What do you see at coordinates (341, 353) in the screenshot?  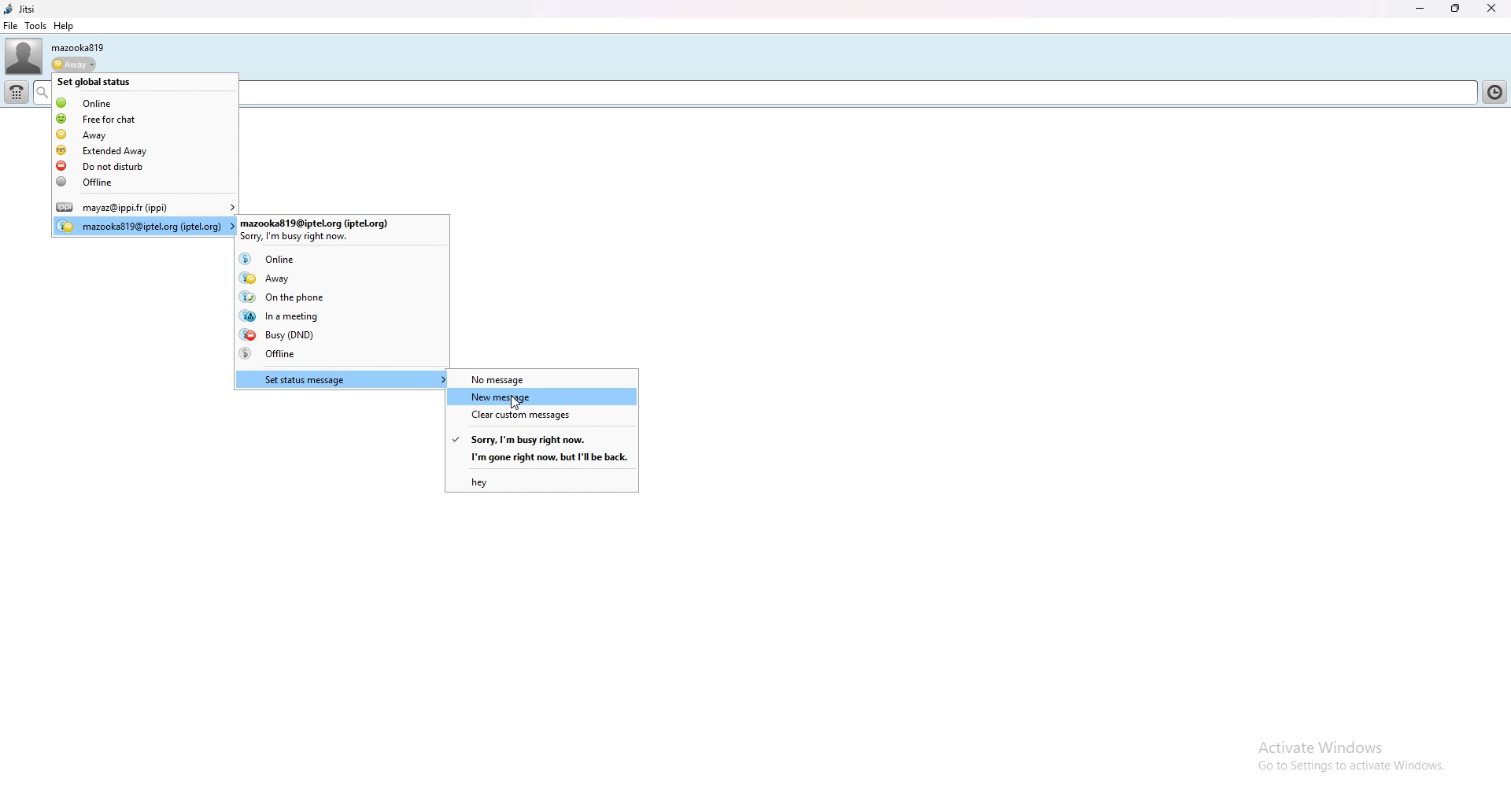 I see `offline` at bounding box center [341, 353].